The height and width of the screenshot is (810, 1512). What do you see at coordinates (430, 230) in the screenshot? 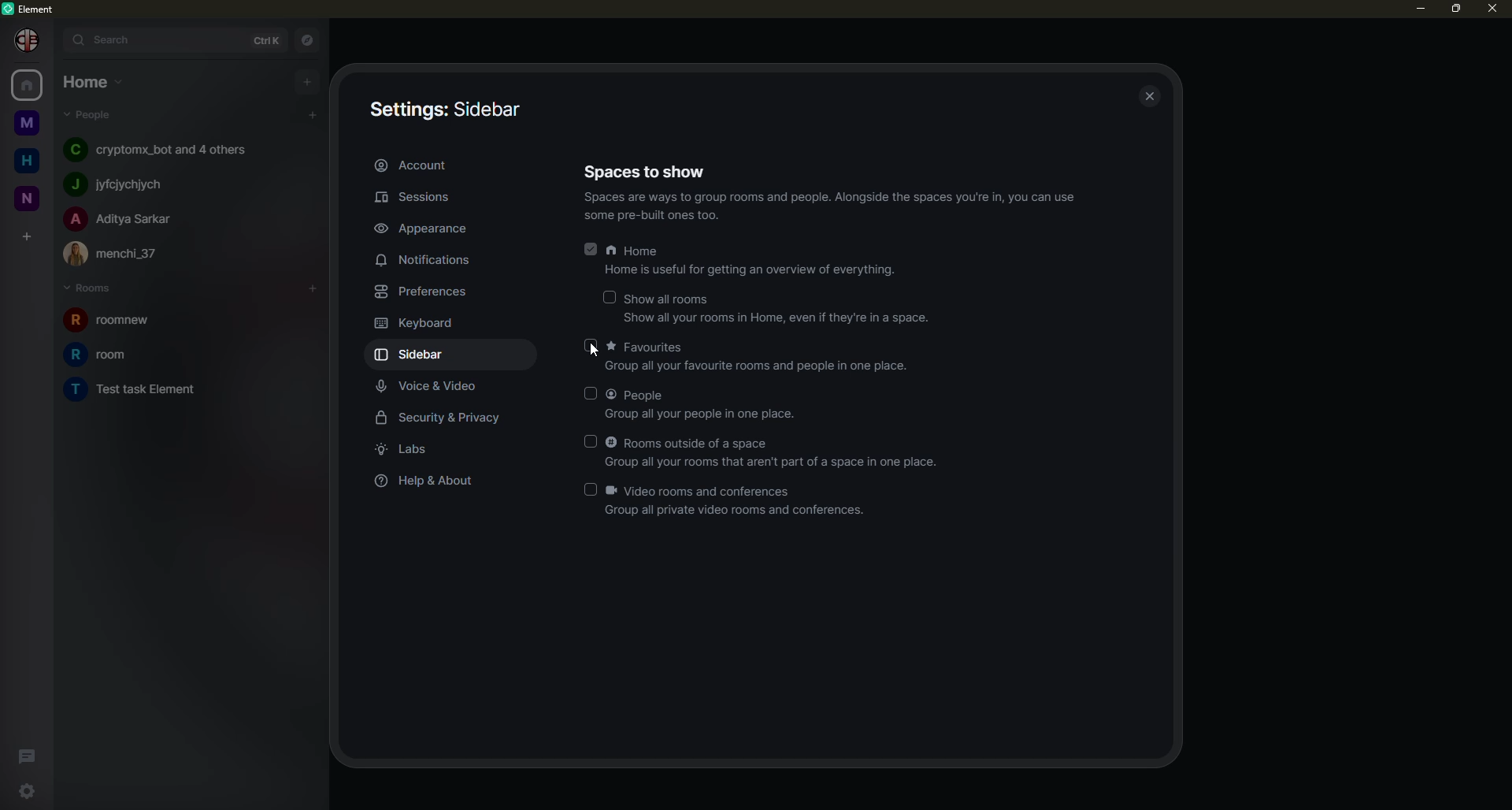
I see `appearance` at bounding box center [430, 230].